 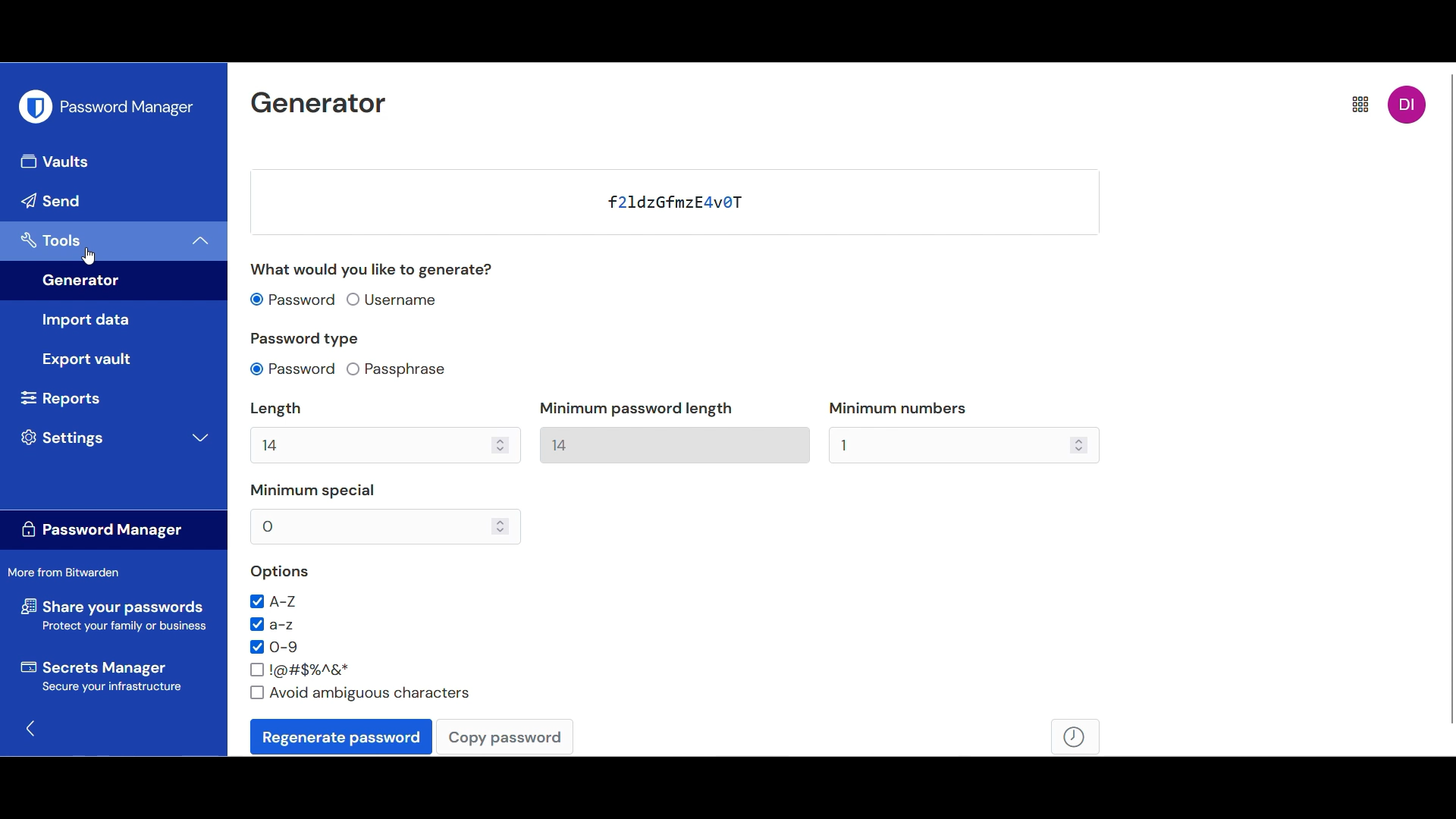 I want to click on Vertical slide bar, so click(x=1451, y=397).